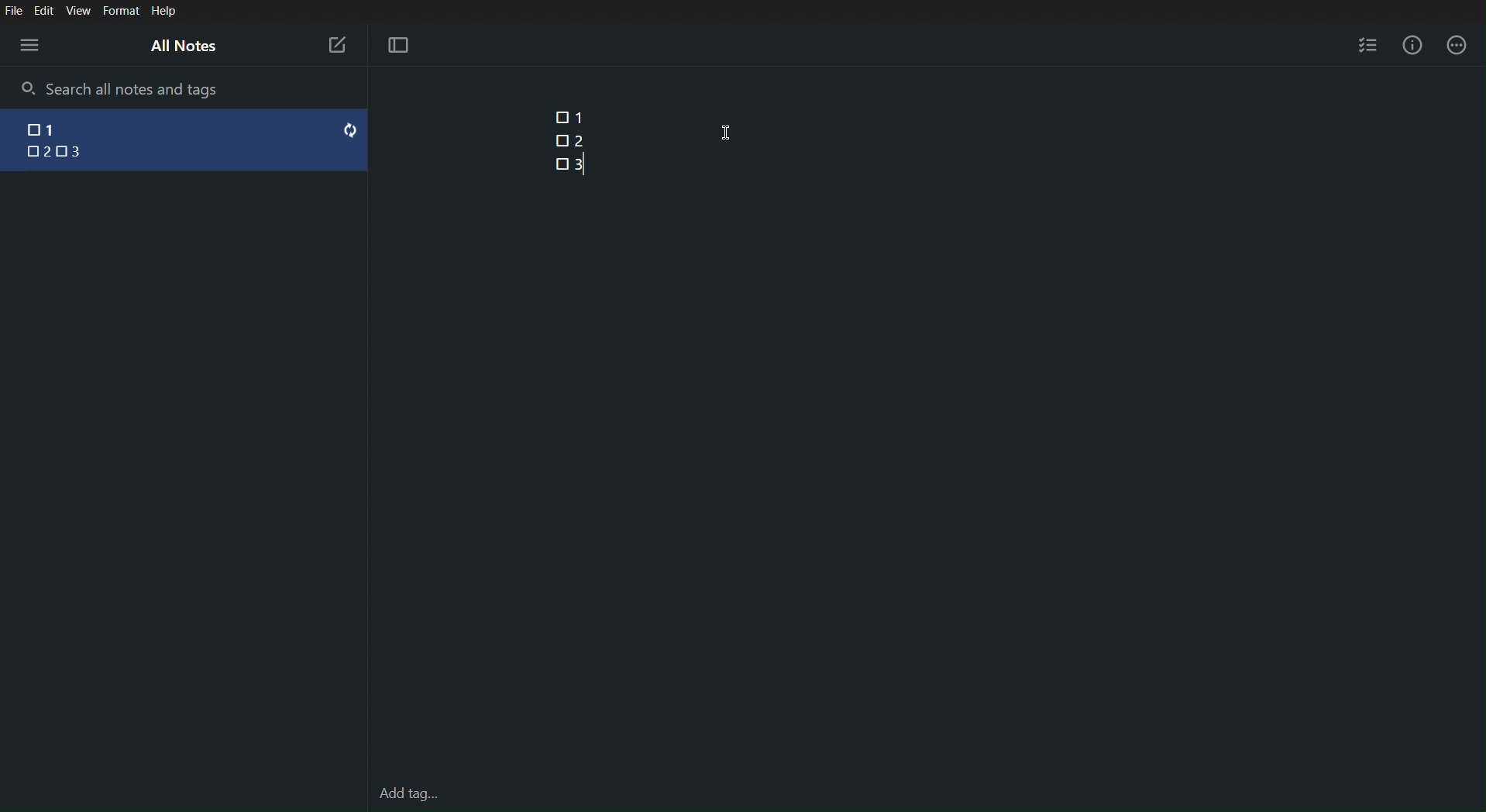 The height and width of the screenshot is (812, 1486). I want to click on Focus Mode, so click(397, 46).